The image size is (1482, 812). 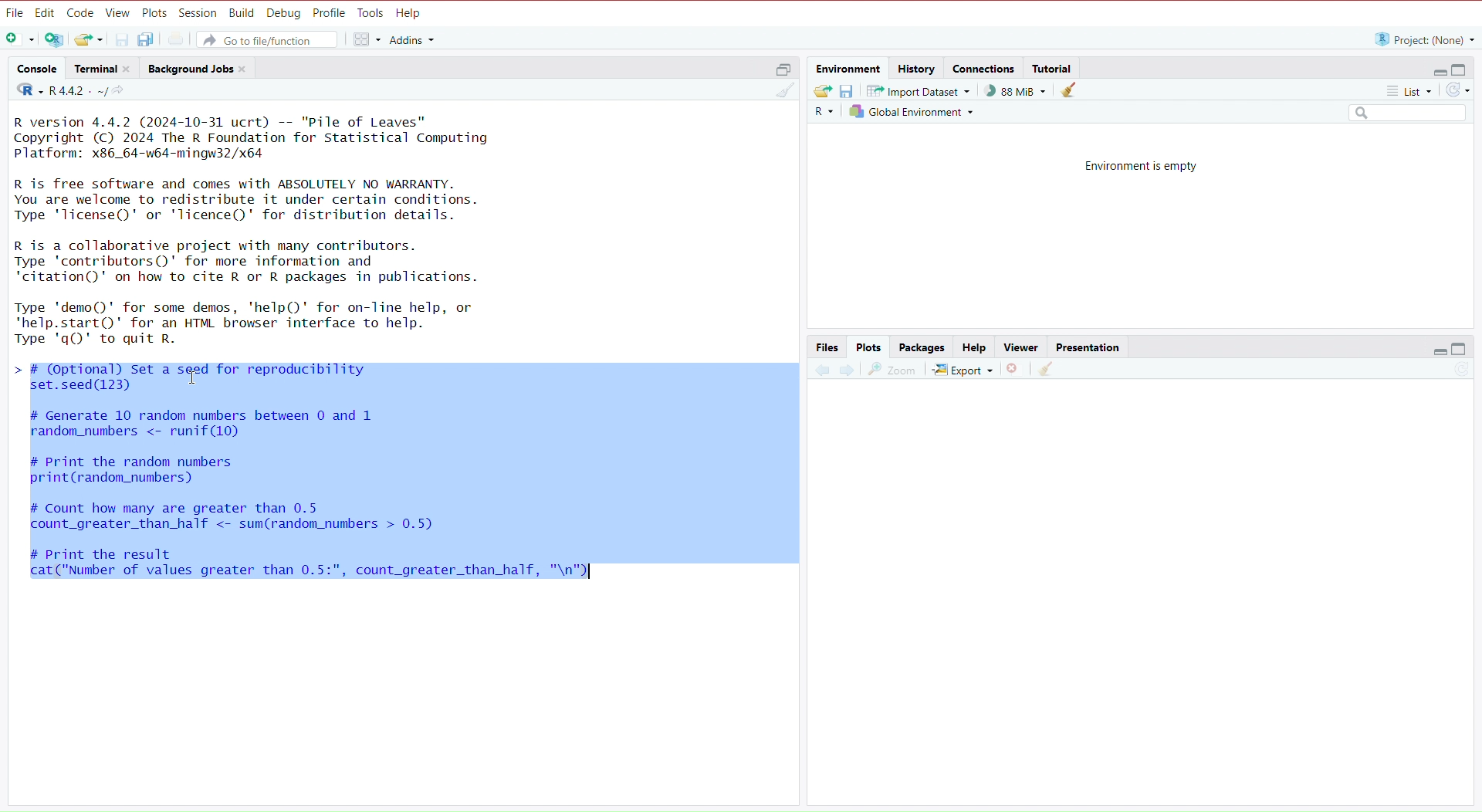 What do you see at coordinates (1142, 164) in the screenshot?
I see `Environment is empty` at bounding box center [1142, 164].